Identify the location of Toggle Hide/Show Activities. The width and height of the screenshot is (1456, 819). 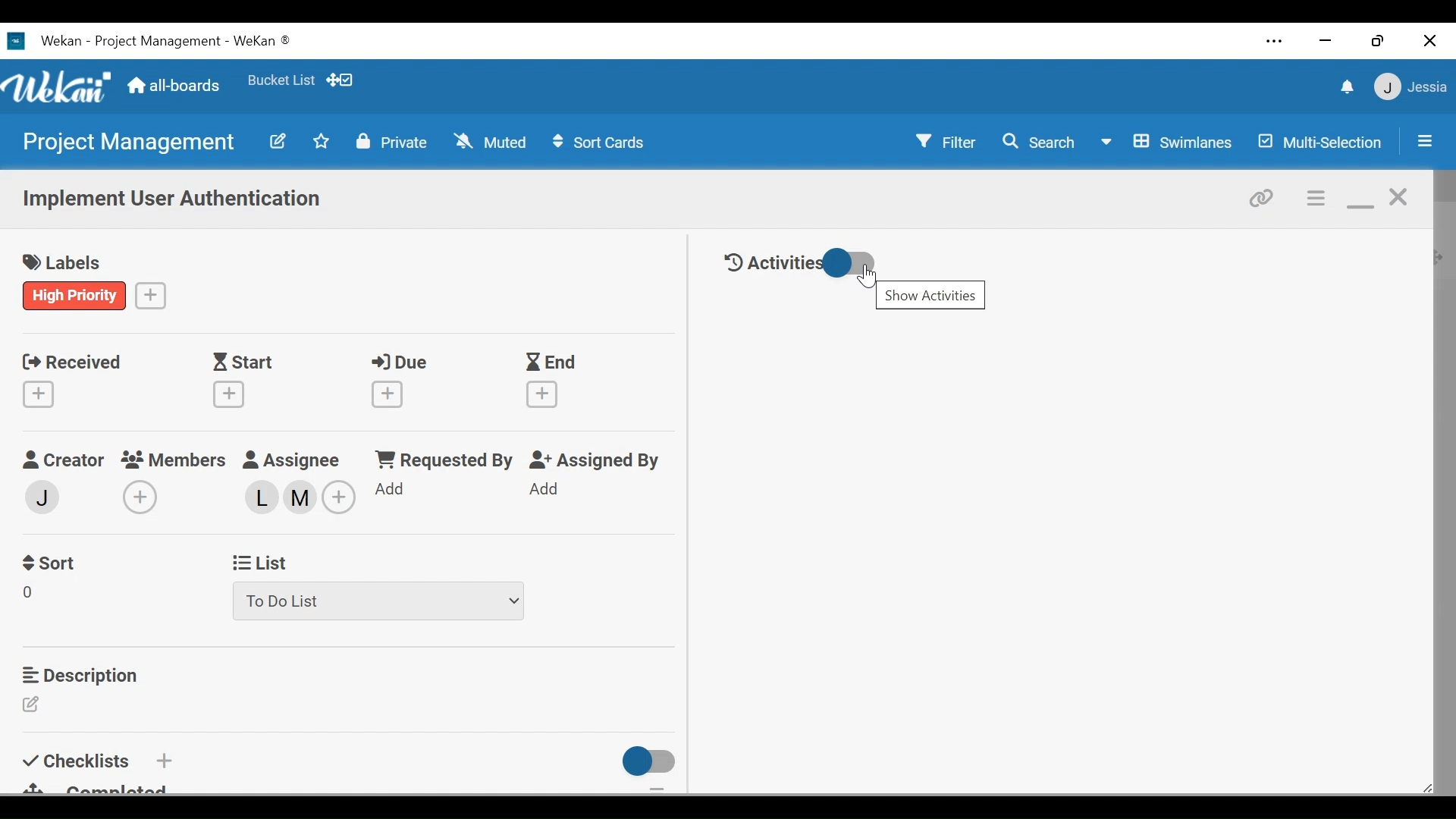
(799, 261).